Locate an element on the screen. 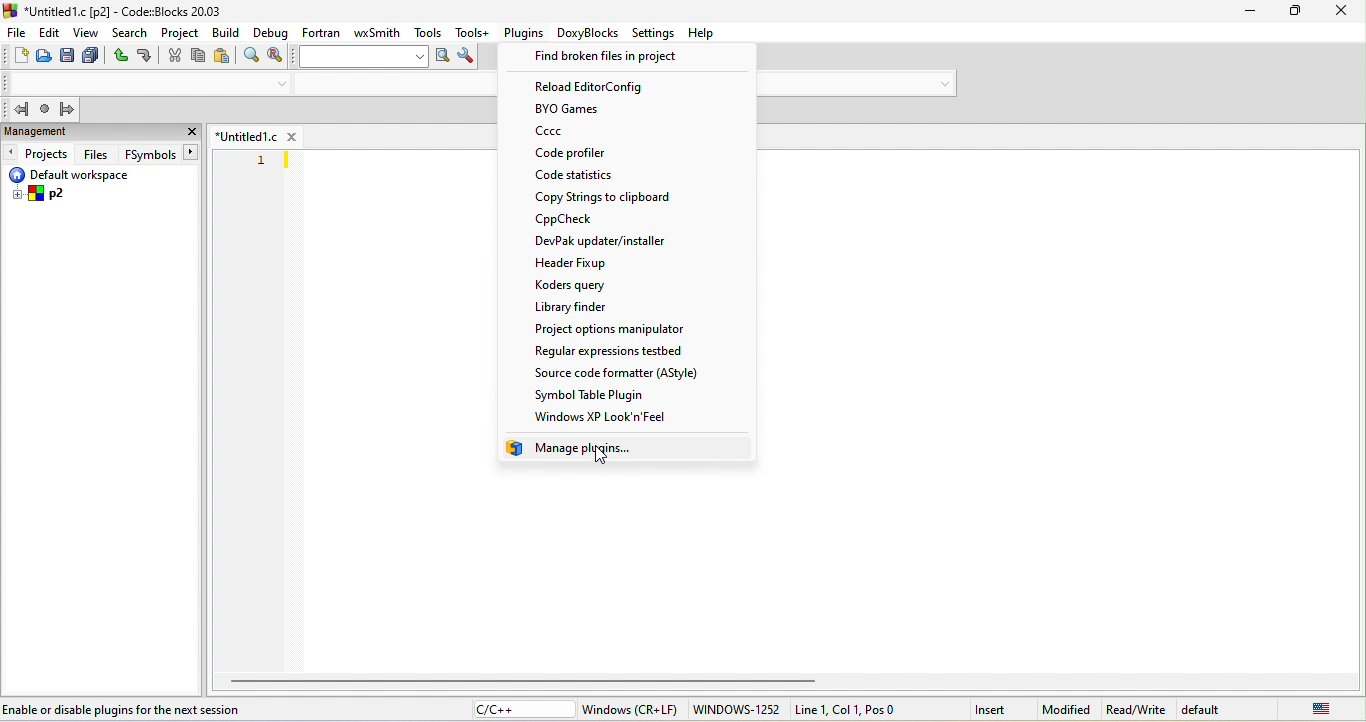 This screenshot has height=722, width=1366. line number is located at coordinates (261, 159).